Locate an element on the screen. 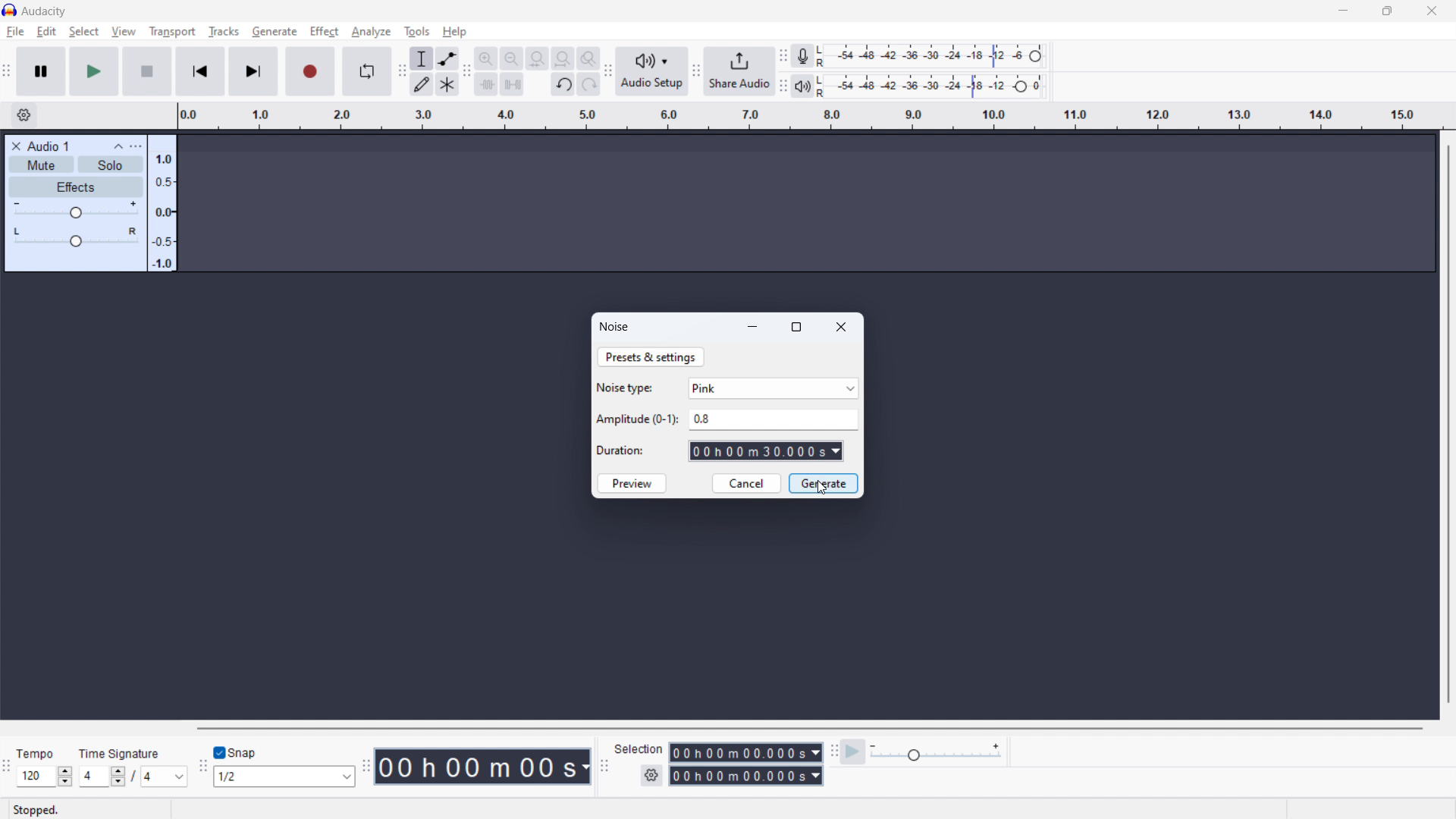 This screenshot has height=819, width=1456. toggle snap is located at coordinates (237, 752).